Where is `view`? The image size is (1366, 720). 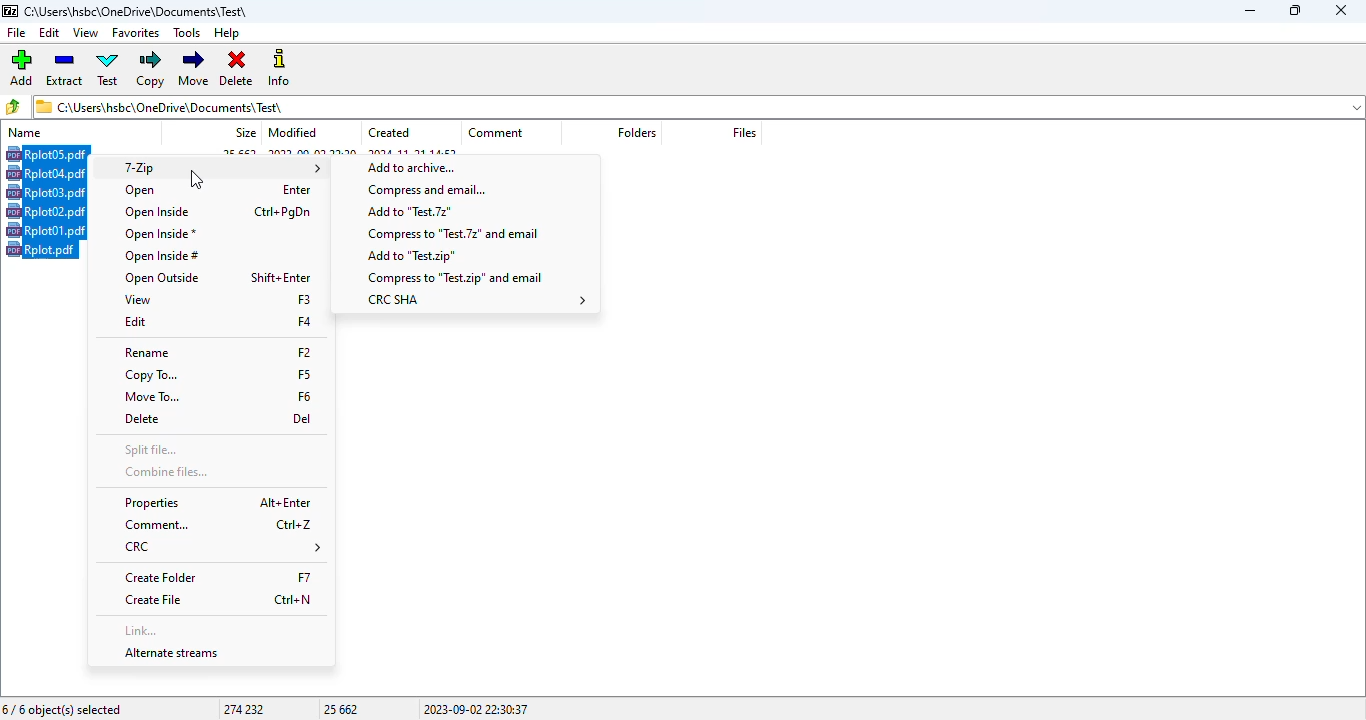 view is located at coordinates (218, 300).